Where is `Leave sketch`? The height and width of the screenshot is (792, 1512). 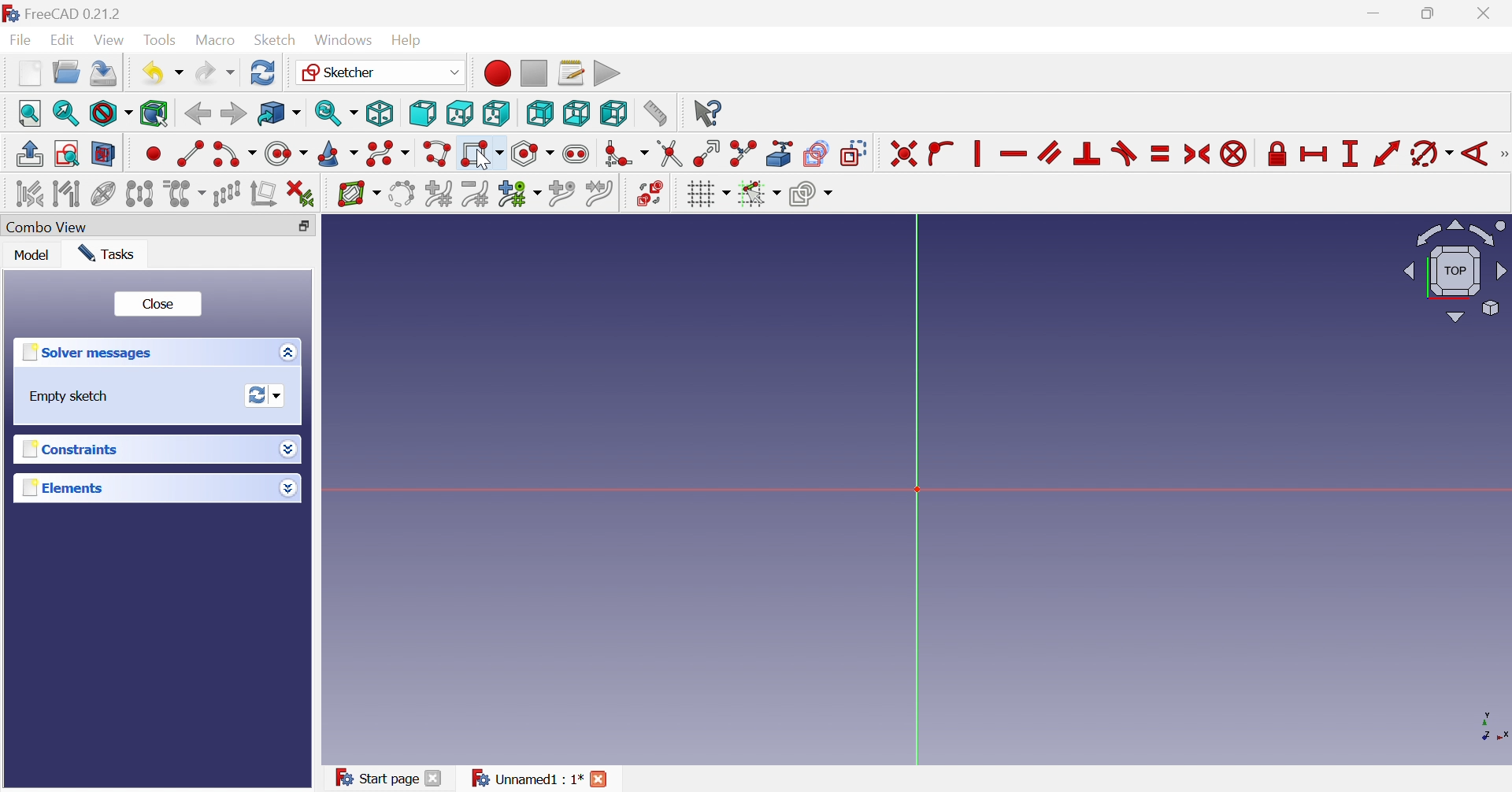 Leave sketch is located at coordinates (28, 154).